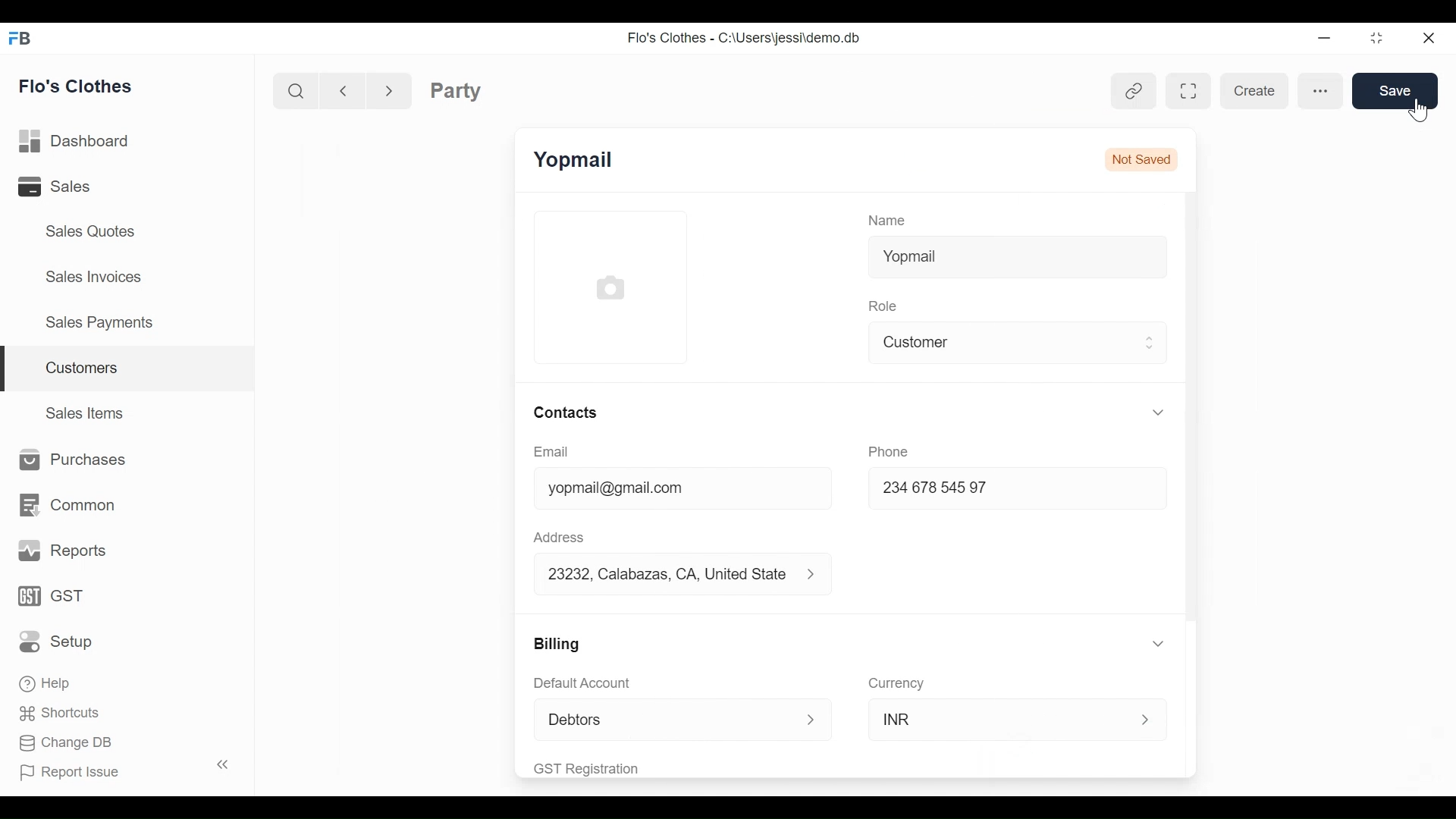 The width and height of the screenshot is (1456, 819). I want to click on Frappe Books Desktop Icon, so click(18, 39).